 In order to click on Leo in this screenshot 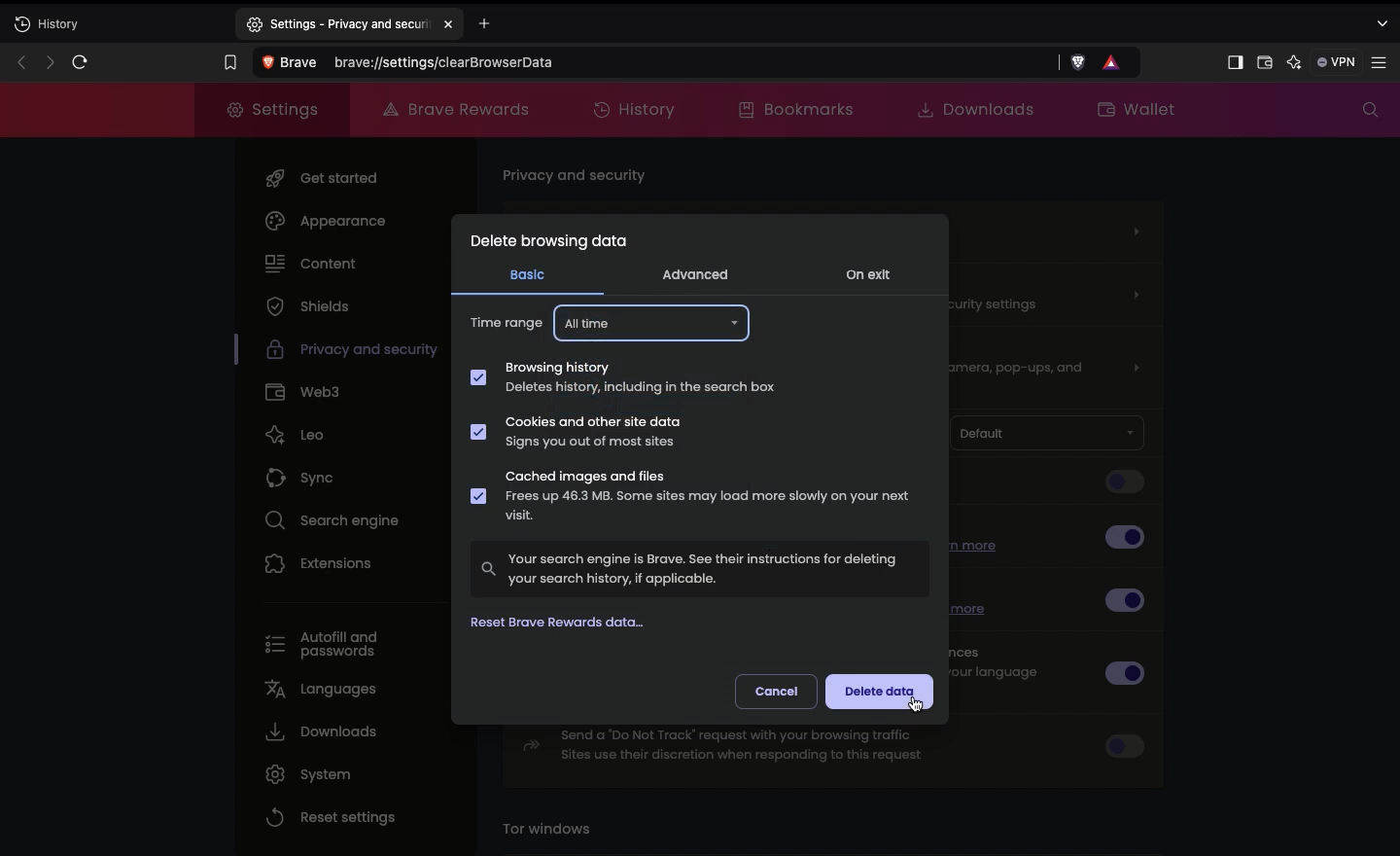, I will do `click(304, 434)`.